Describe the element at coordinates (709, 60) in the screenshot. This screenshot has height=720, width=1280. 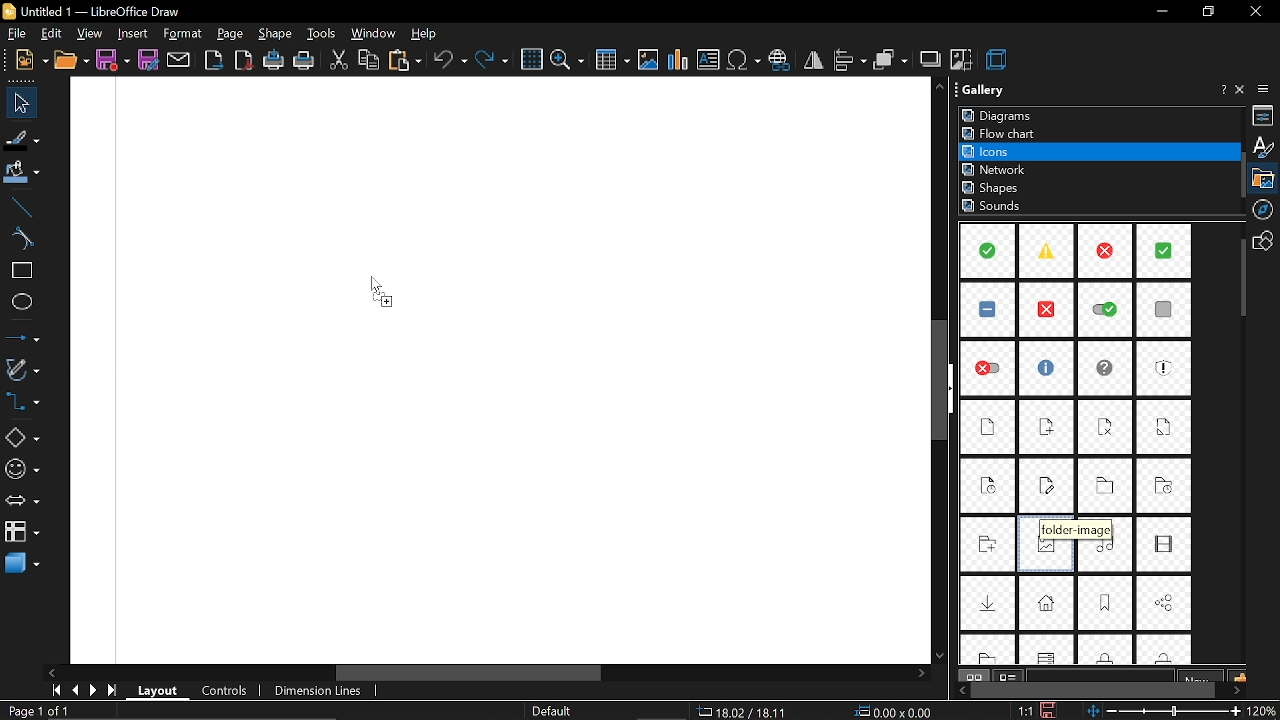
I see `insert text` at that location.